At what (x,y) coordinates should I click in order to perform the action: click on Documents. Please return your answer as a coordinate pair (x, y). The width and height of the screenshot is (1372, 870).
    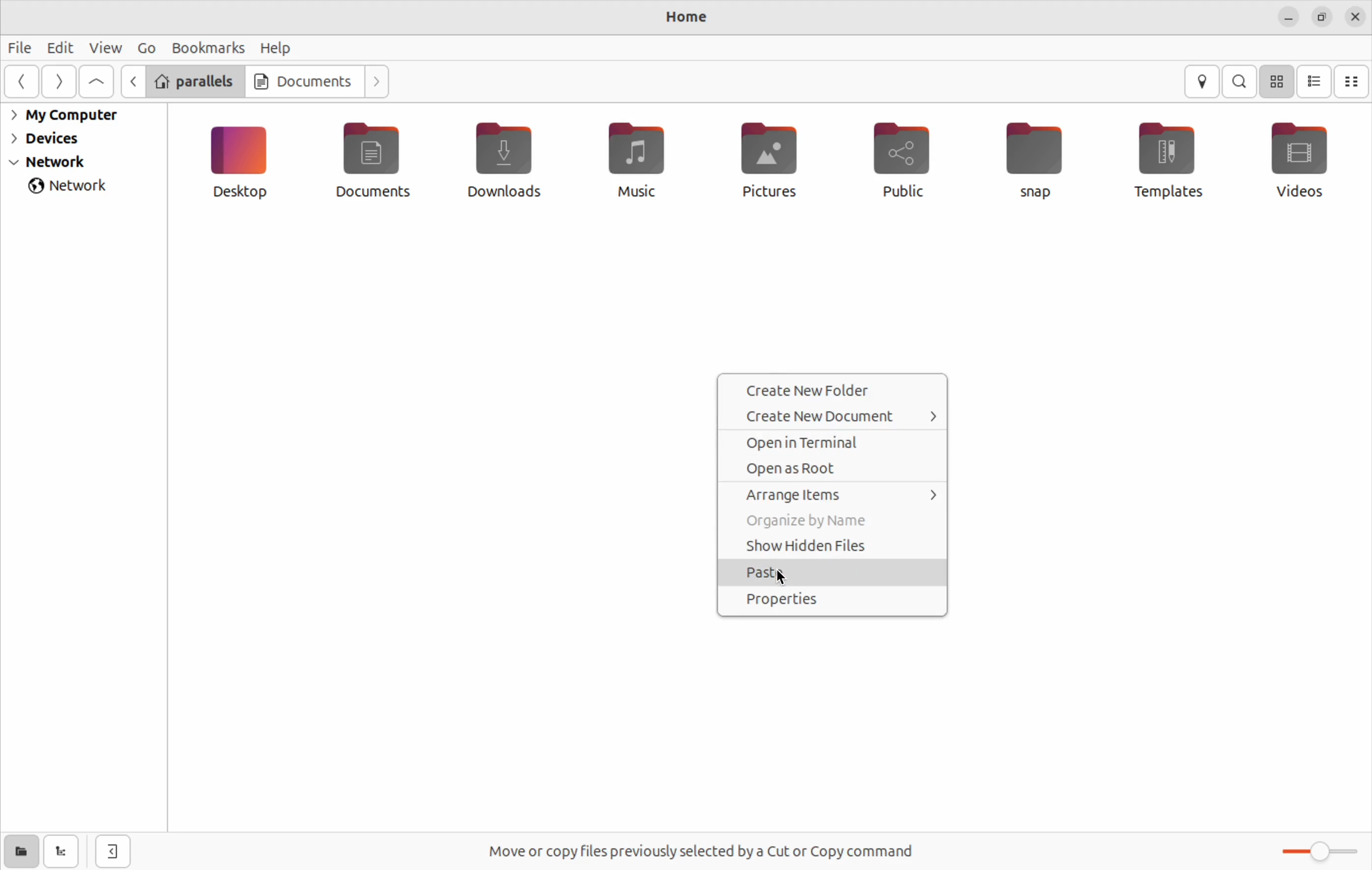
    Looking at the image, I should click on (304, 80).